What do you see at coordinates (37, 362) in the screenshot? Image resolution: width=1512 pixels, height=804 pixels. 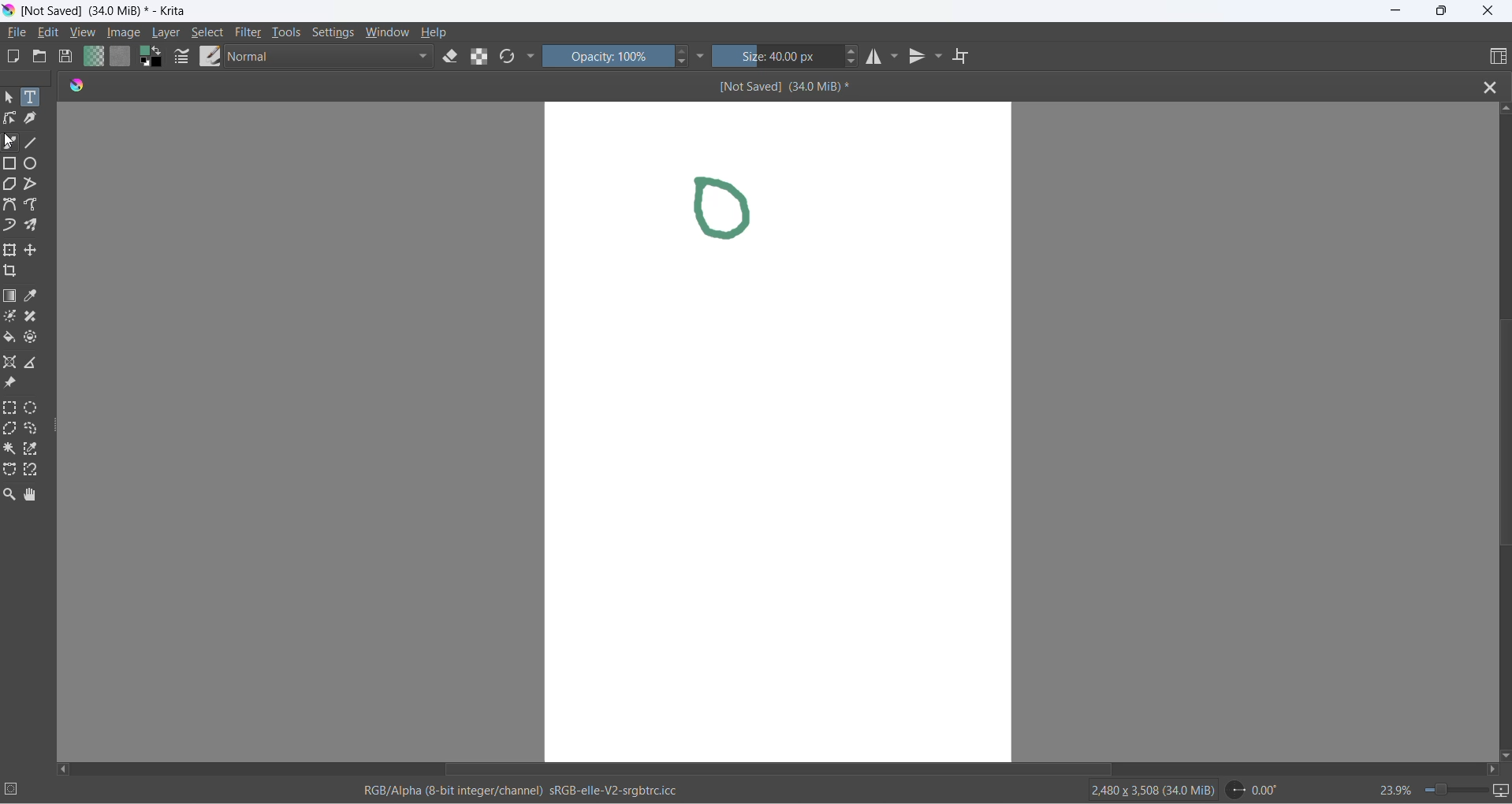 I see `measure the distance between two points` at bounding box center [37, 362].